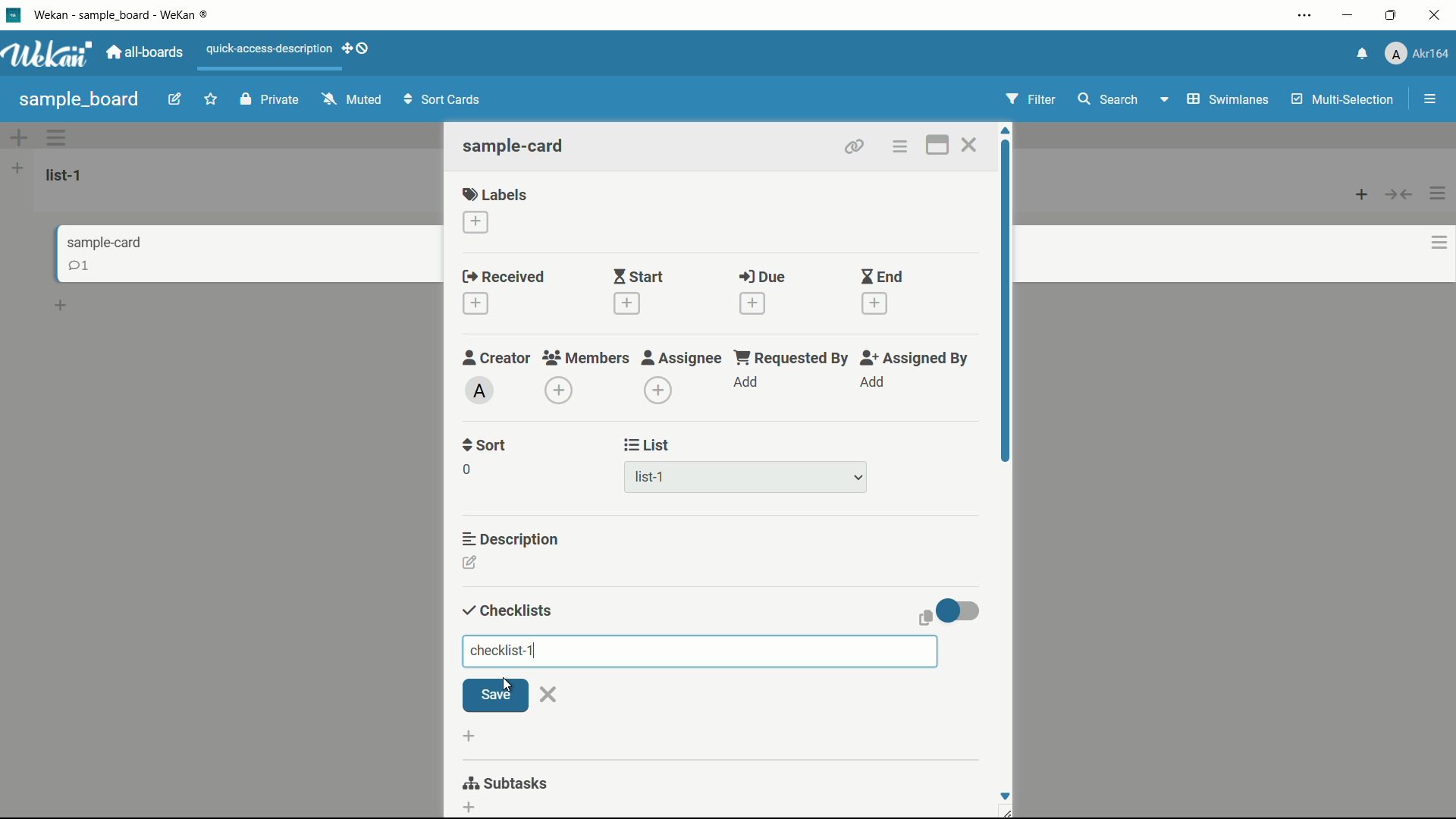 This screenshot has height=819, width=1456. What do you see at coordinates (659, 391) in the screenshot?
I see `add assignee` at bounding box center [659, 391].